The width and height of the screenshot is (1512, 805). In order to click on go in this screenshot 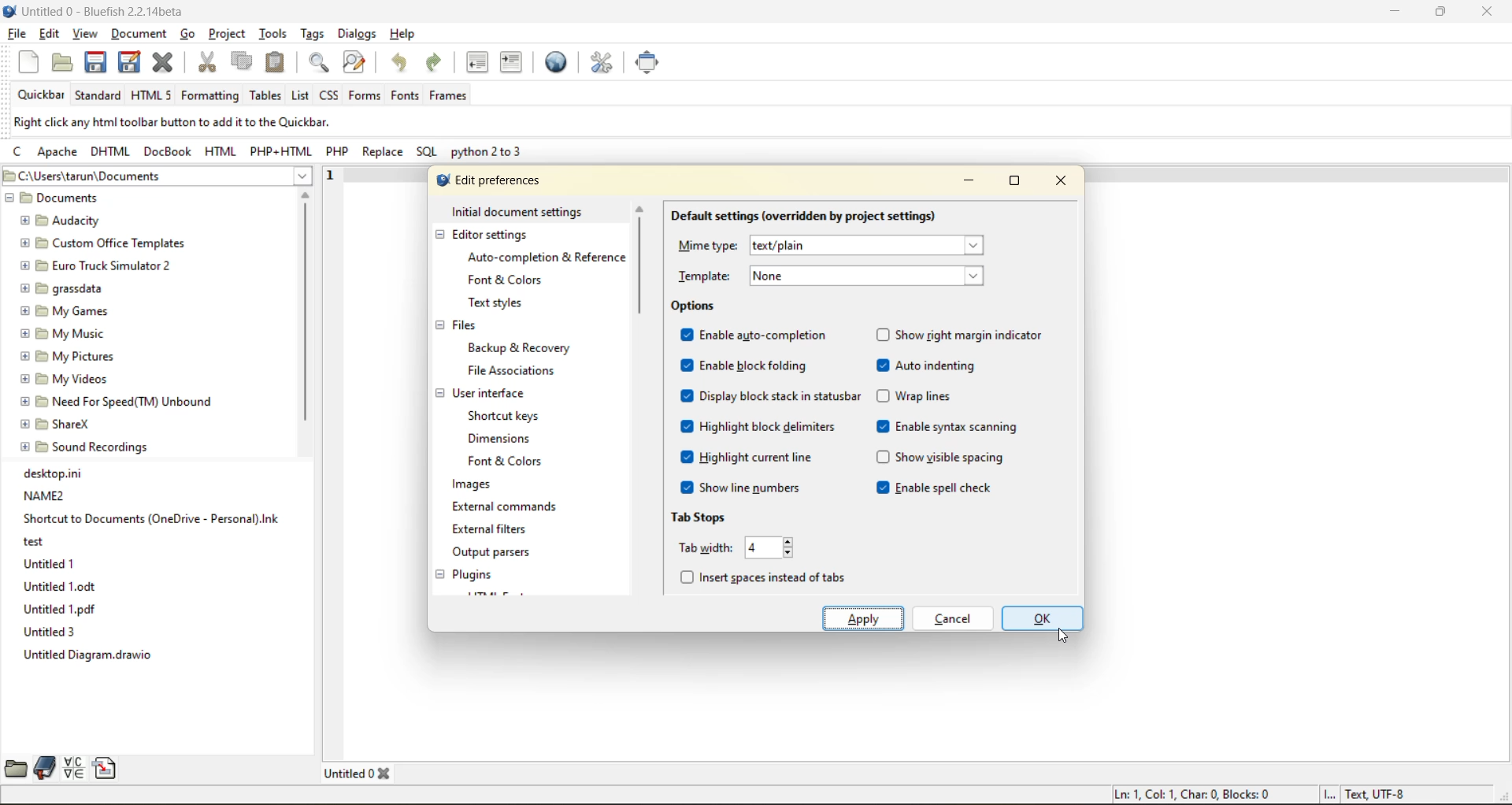, I will do `click(193, 36)`.